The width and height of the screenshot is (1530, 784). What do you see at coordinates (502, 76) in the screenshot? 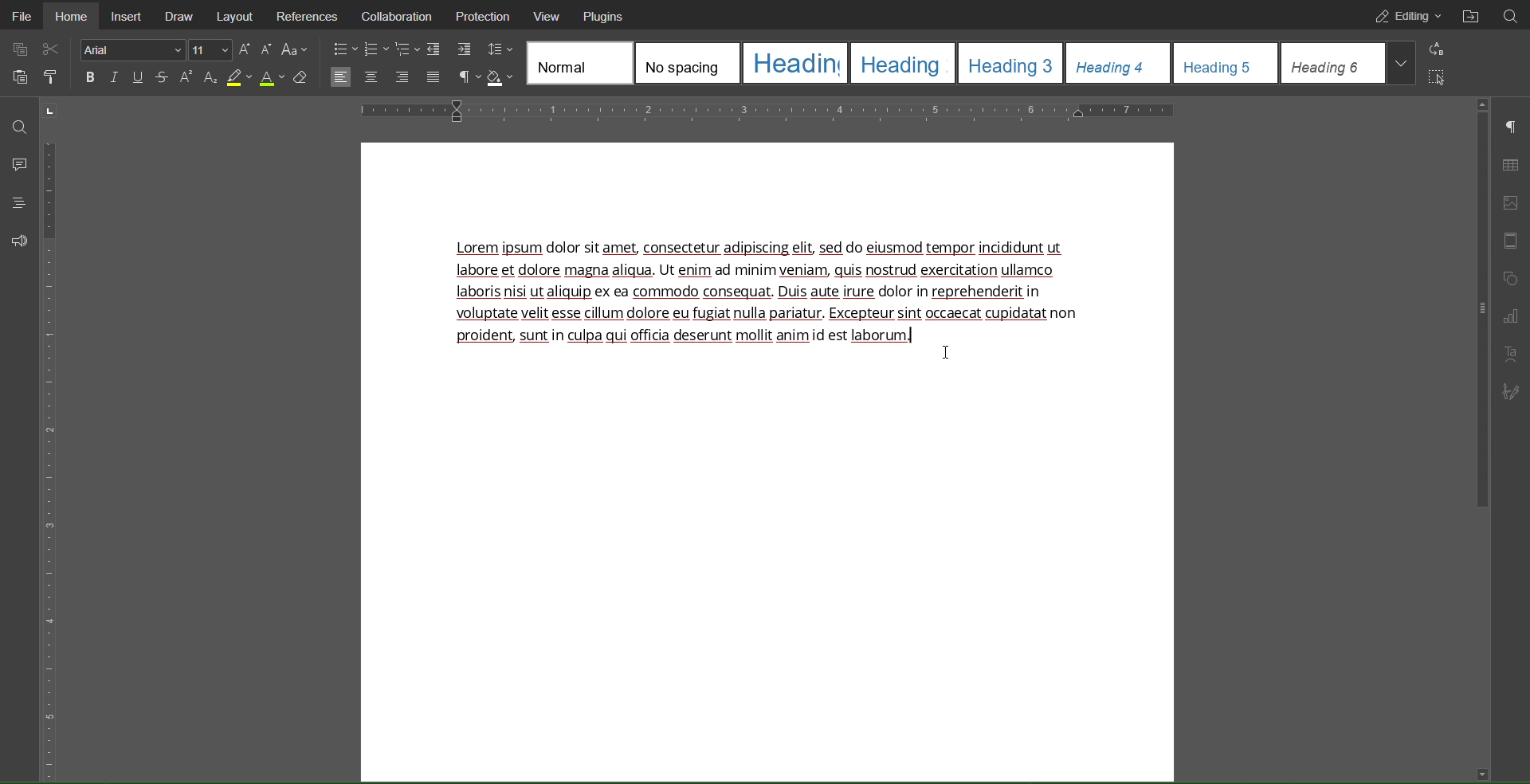
I see `Fill Color` at bounding box center [502, 76].